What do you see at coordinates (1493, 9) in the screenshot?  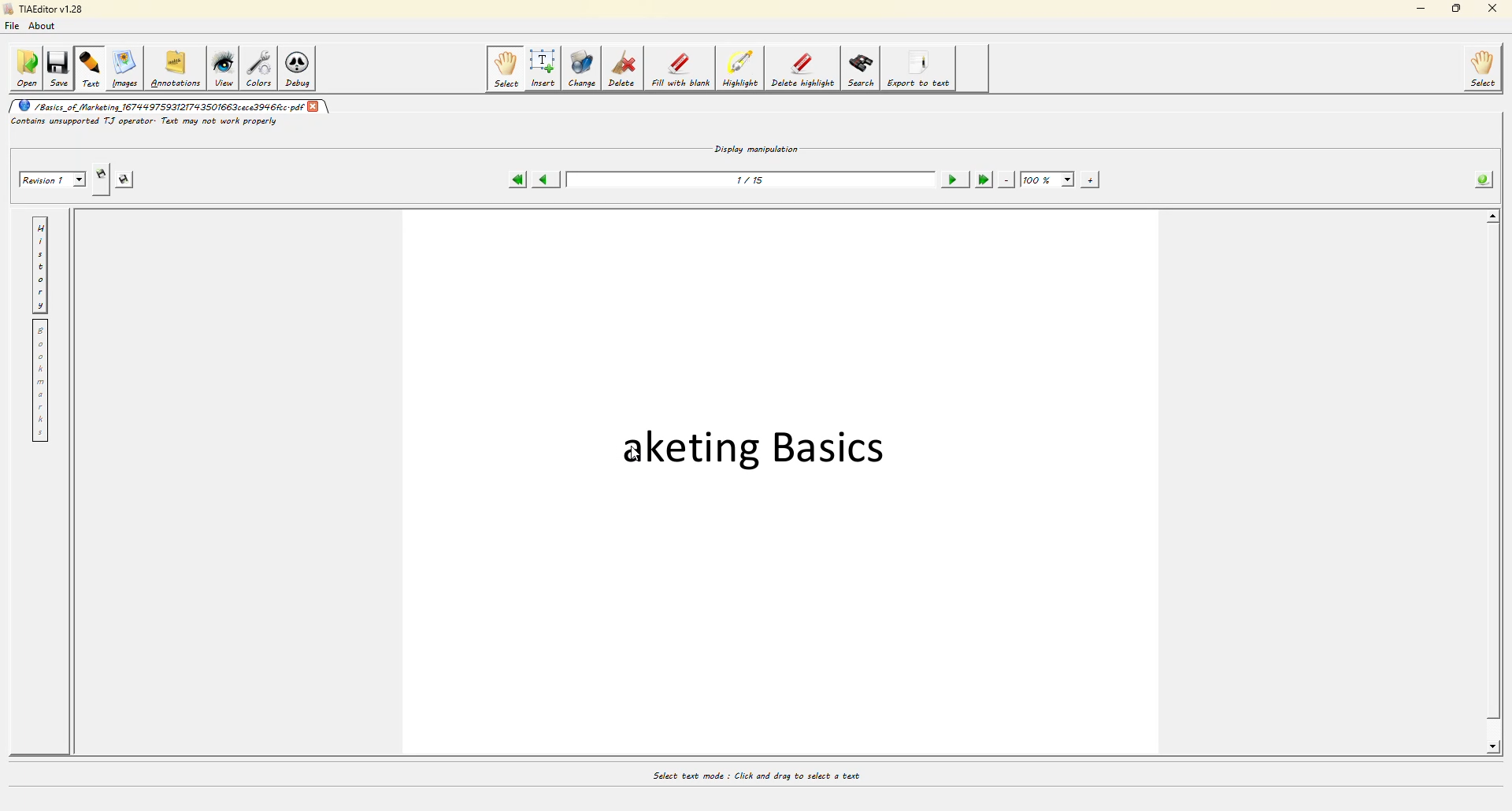 I see `close` at bounding box center [1493, 9].